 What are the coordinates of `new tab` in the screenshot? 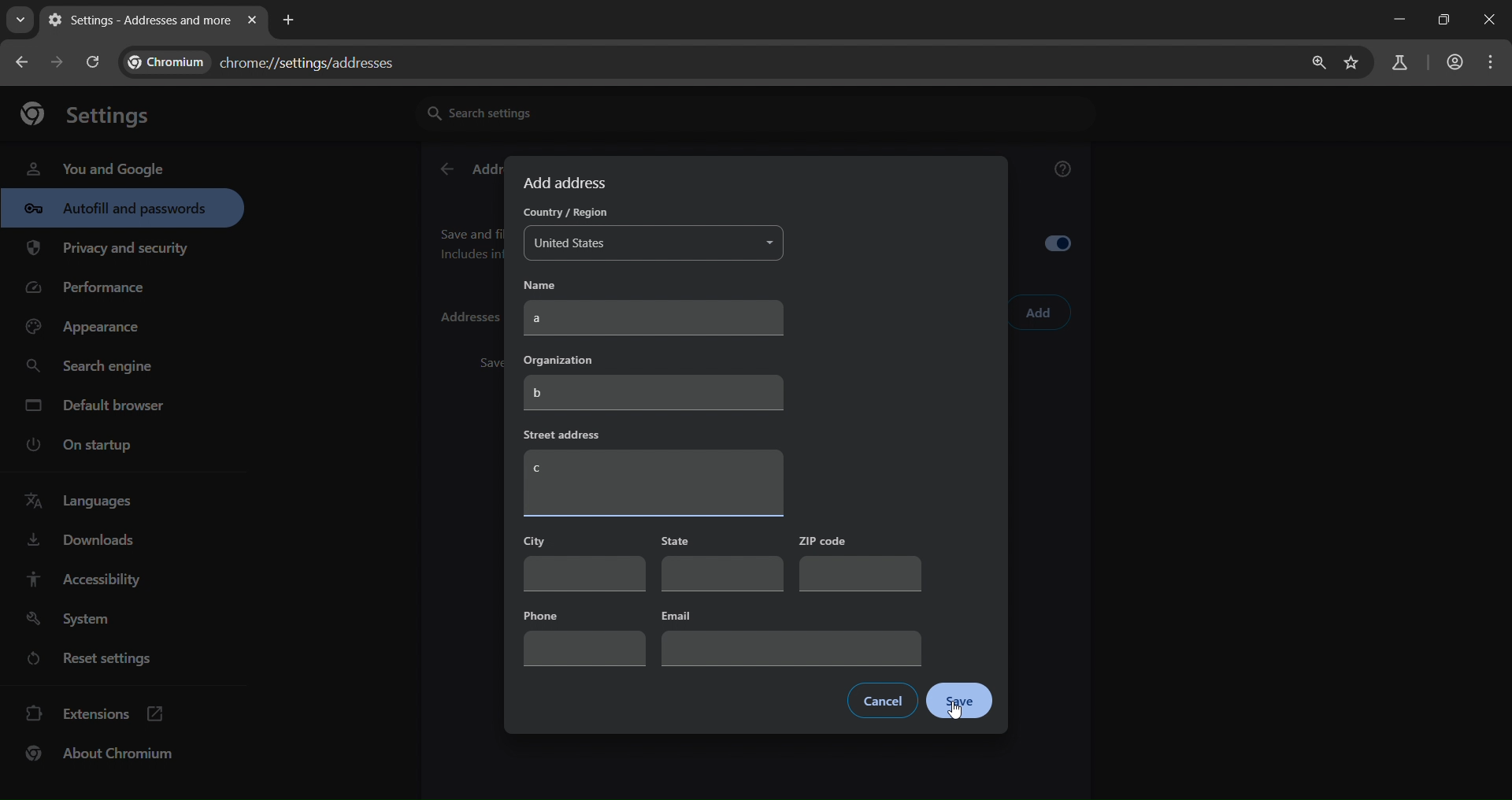 It's located at (289, 18).